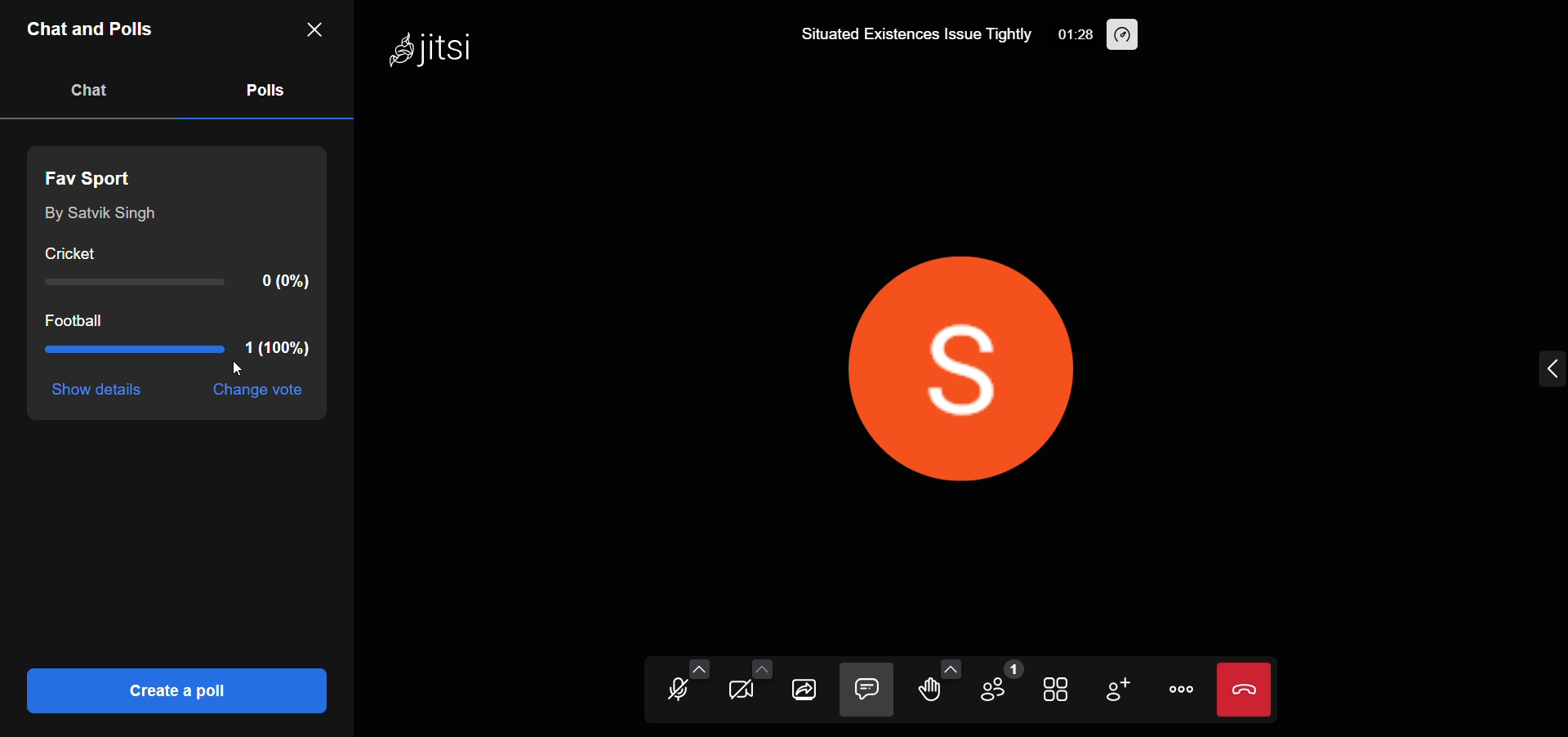 The image size is (1568, 737). Describe the element at coordinates (1071, 36) in the screenshot. I see `01:28` at that location.